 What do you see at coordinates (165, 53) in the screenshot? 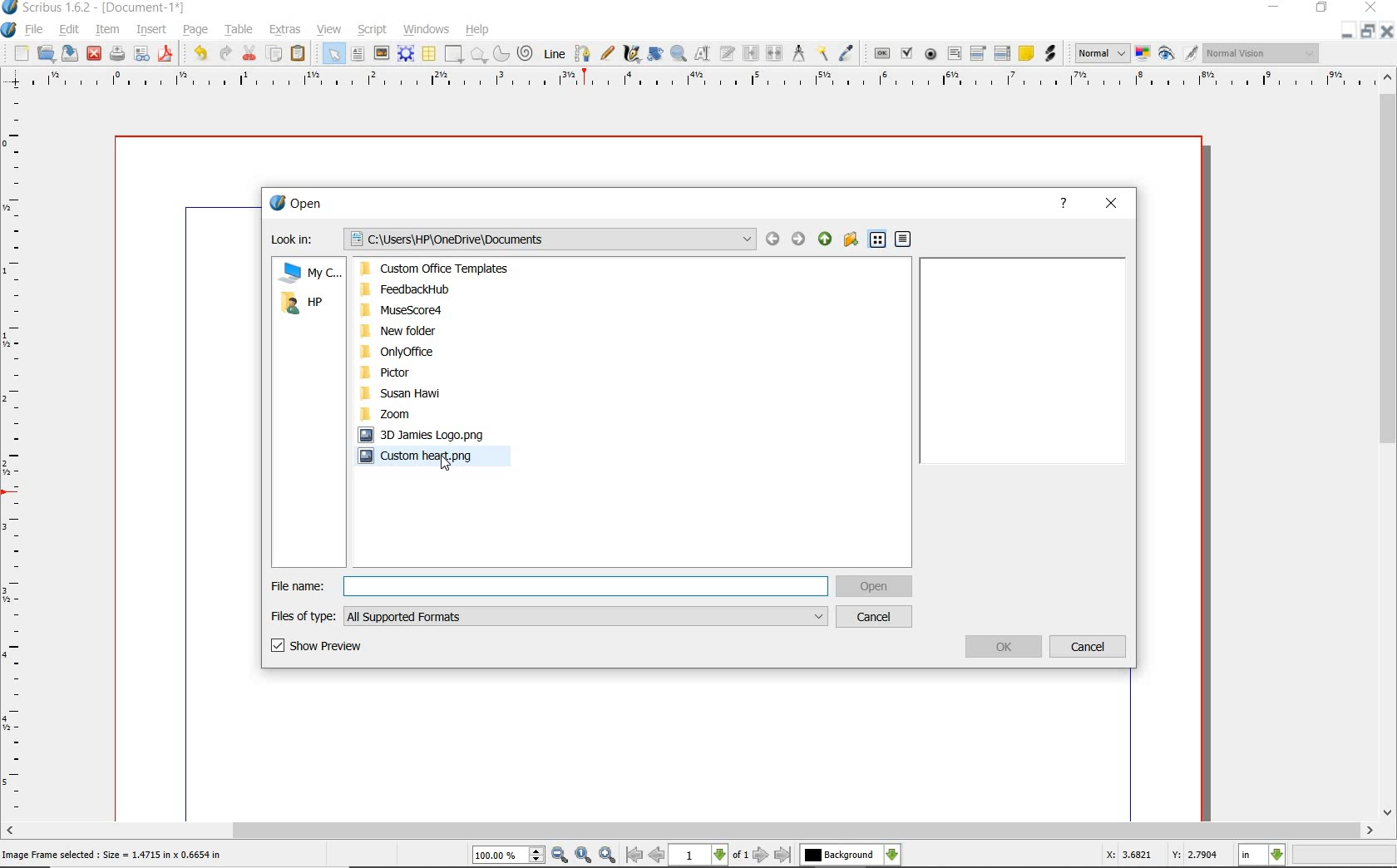
I see `save as pdf` at bounding box center [165, 53].